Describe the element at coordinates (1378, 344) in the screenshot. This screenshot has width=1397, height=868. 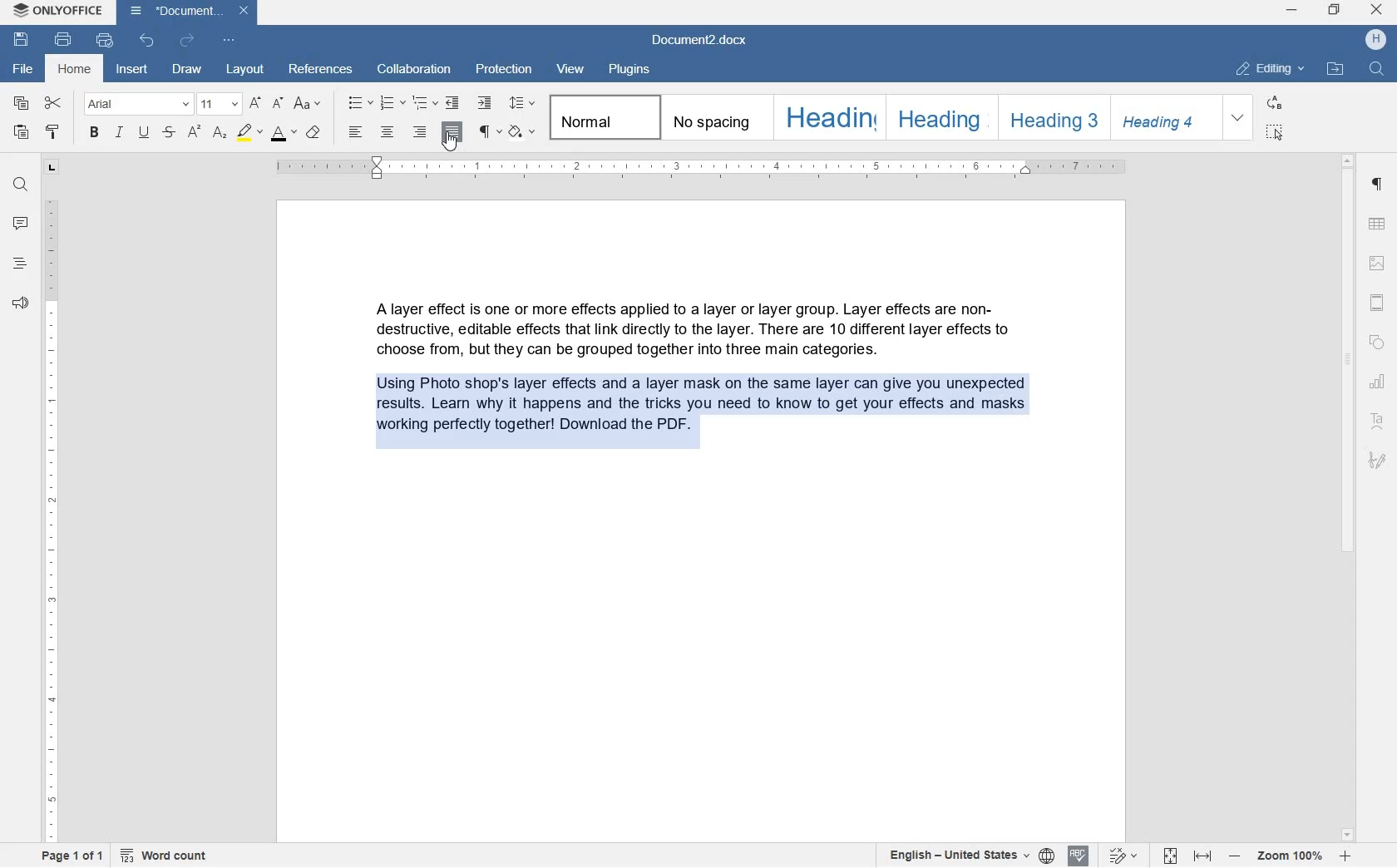
I see `SHAPE` at that location.